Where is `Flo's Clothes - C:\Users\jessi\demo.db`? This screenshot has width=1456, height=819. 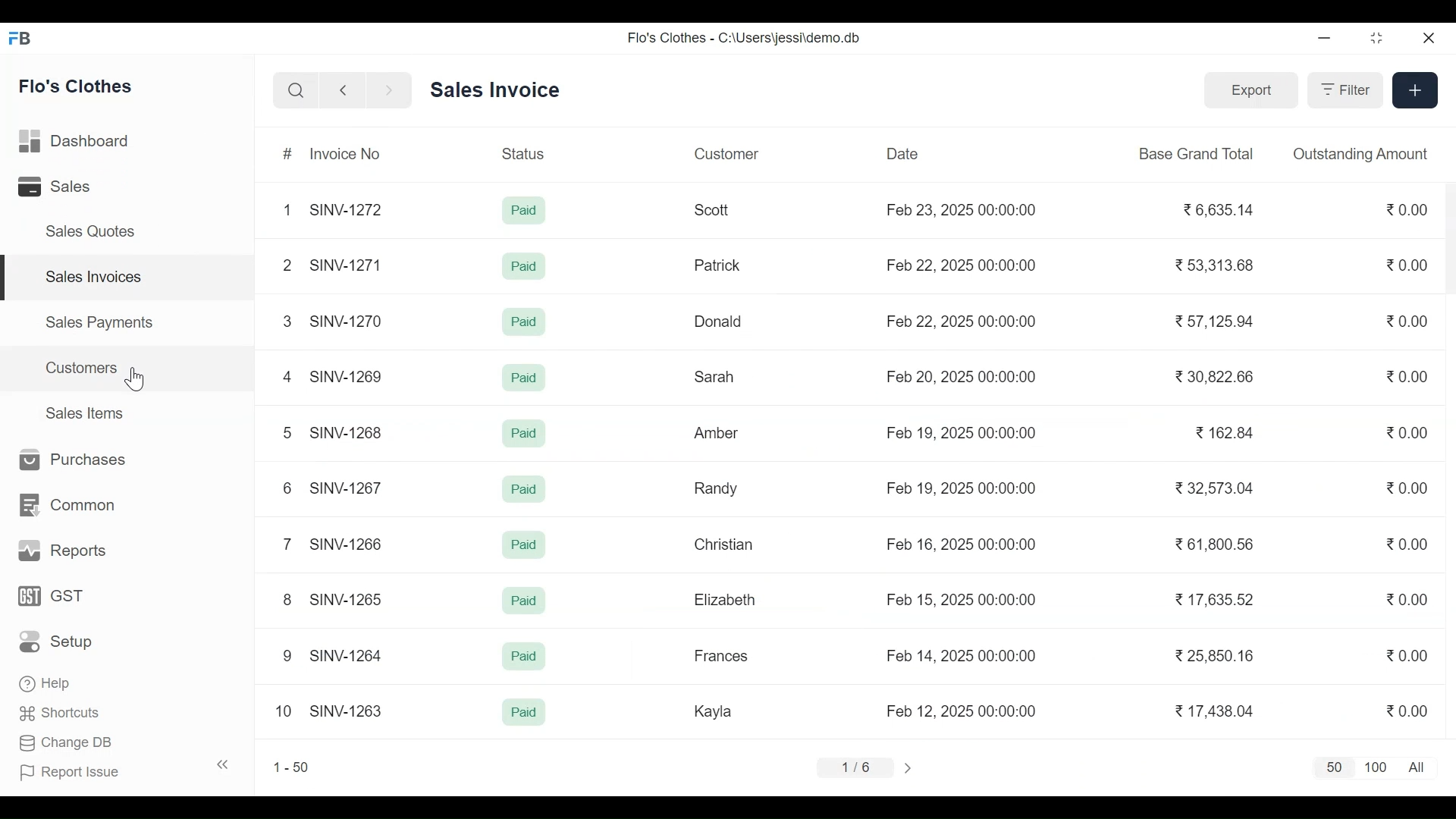 Flo's Clothes - C:\Users\jessi\demo.db is located at coordinates (746, 39).